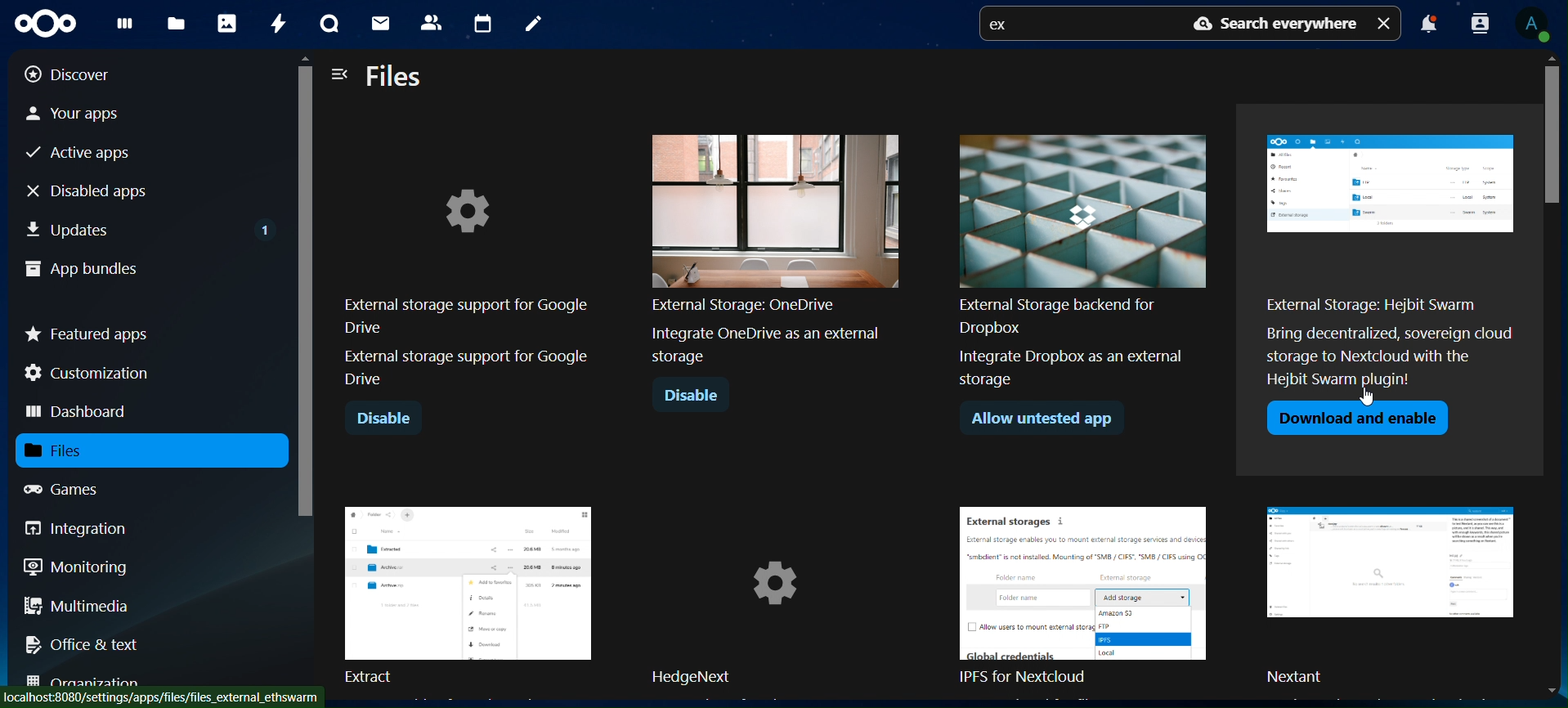  What do you see at coordinates (1558, 373) in the screenshot?
I see `scrollbar` at bounding box center [1558, 373].